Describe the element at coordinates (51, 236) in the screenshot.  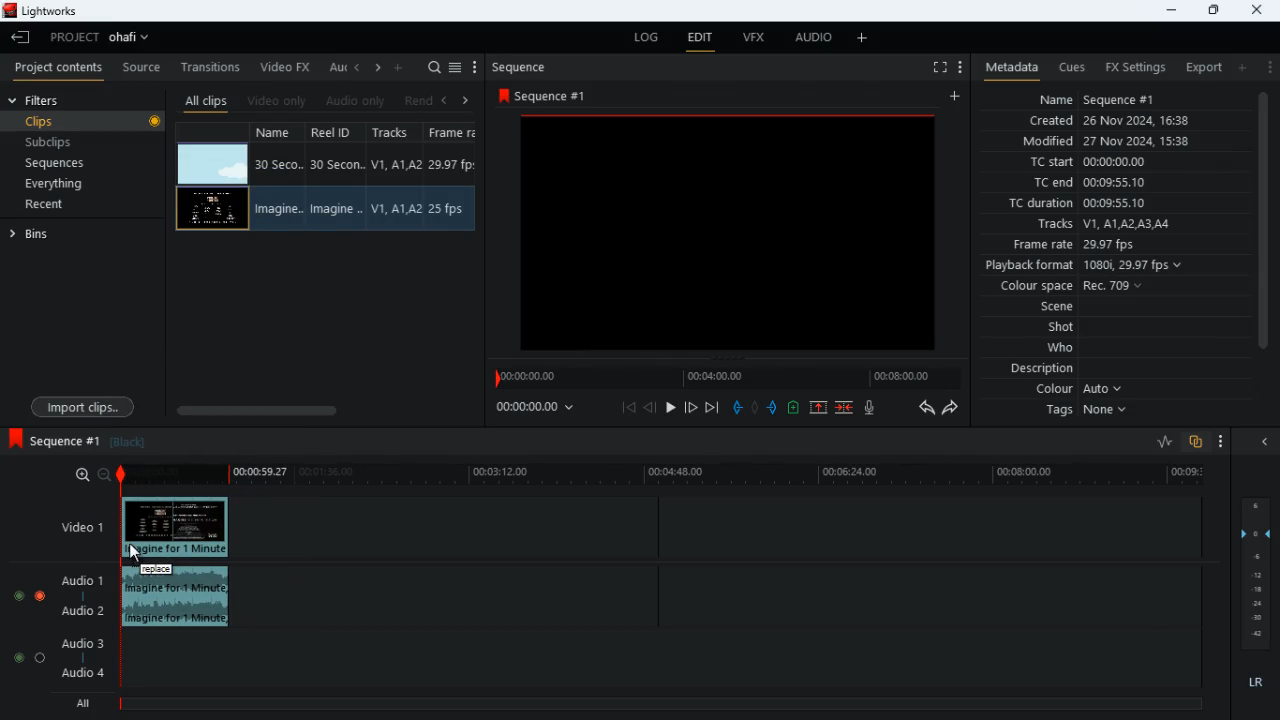
I see `bins` at that location.